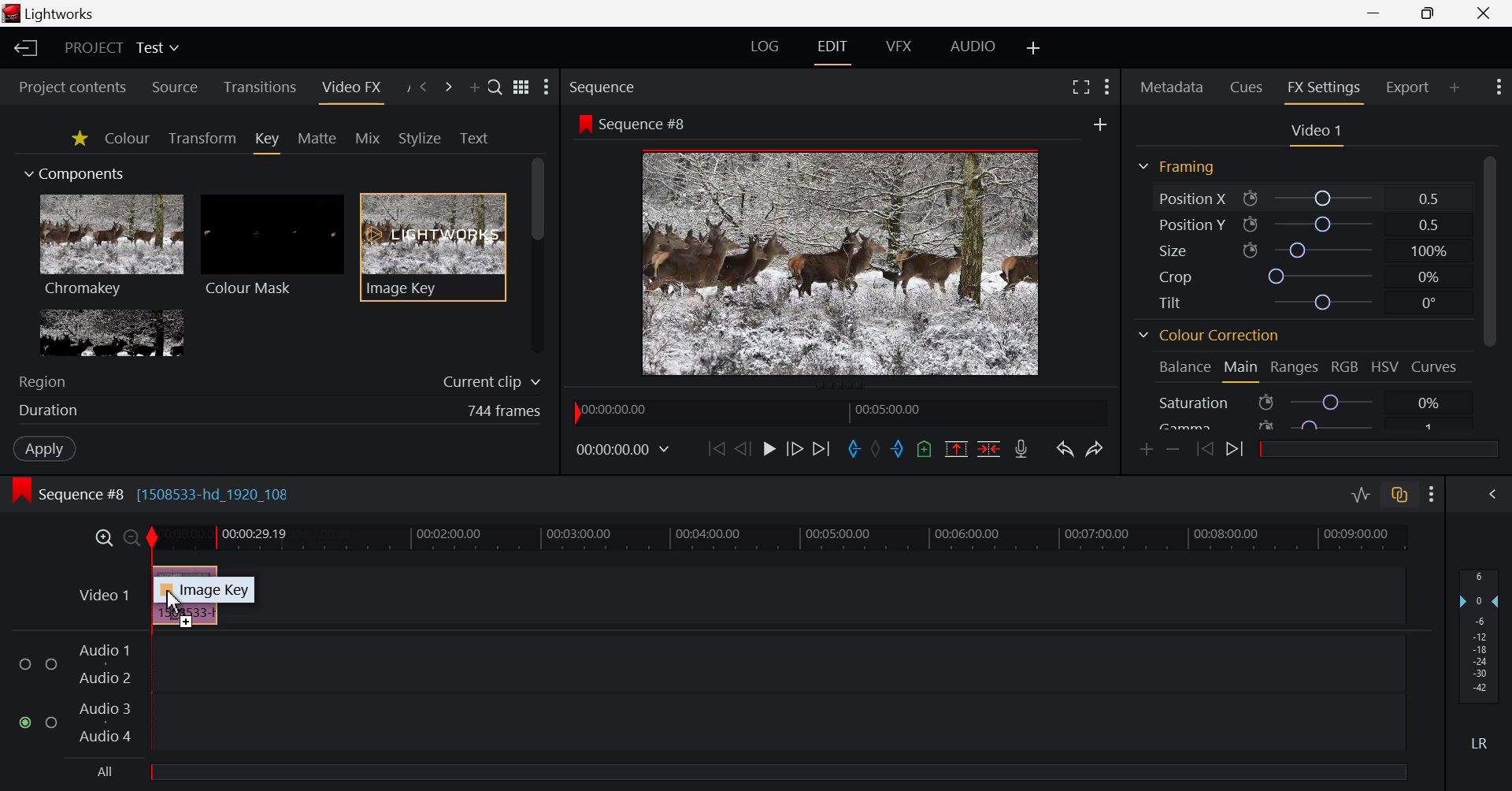  What do you see at coordinates (320, 139) in the screenshot?
I see `Matte` at bounding box center [320, 139].